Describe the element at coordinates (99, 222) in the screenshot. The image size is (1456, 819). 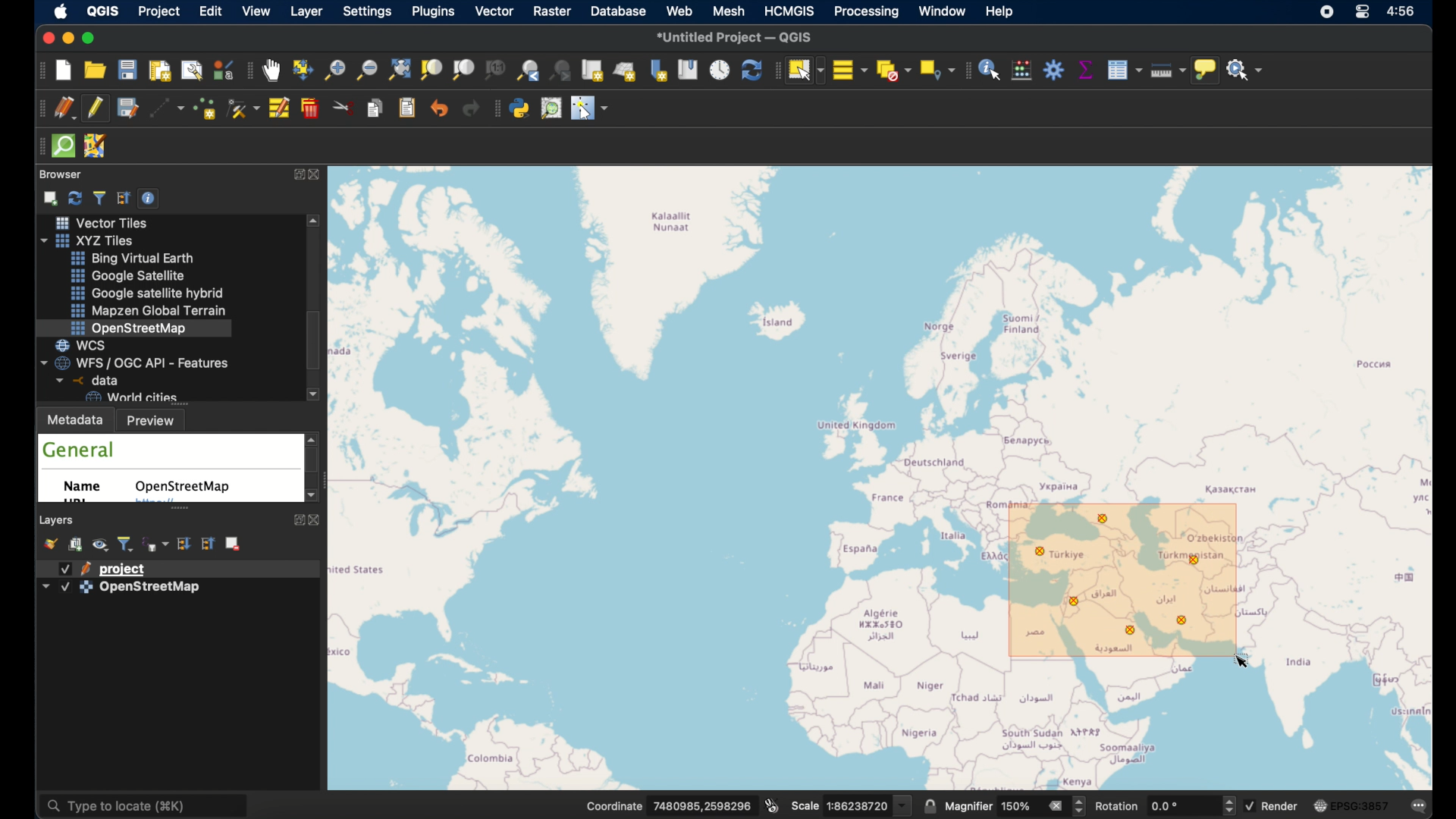
I see `vector tiles` at that location.